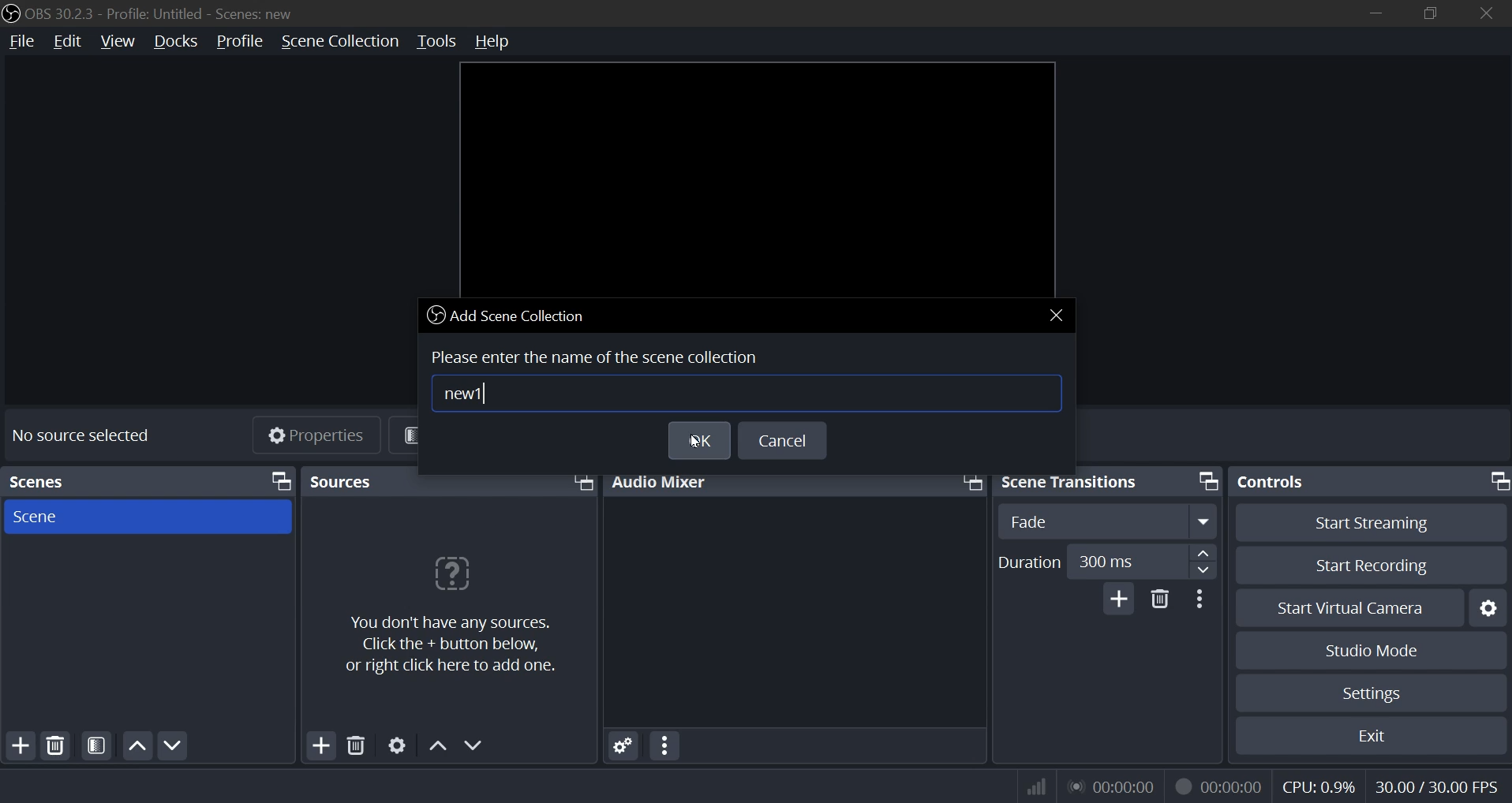 This screenshot has width=1512, height=803. Describe the element at coordinates (176, 745) in the screenshot. I see `down scene` at that location.